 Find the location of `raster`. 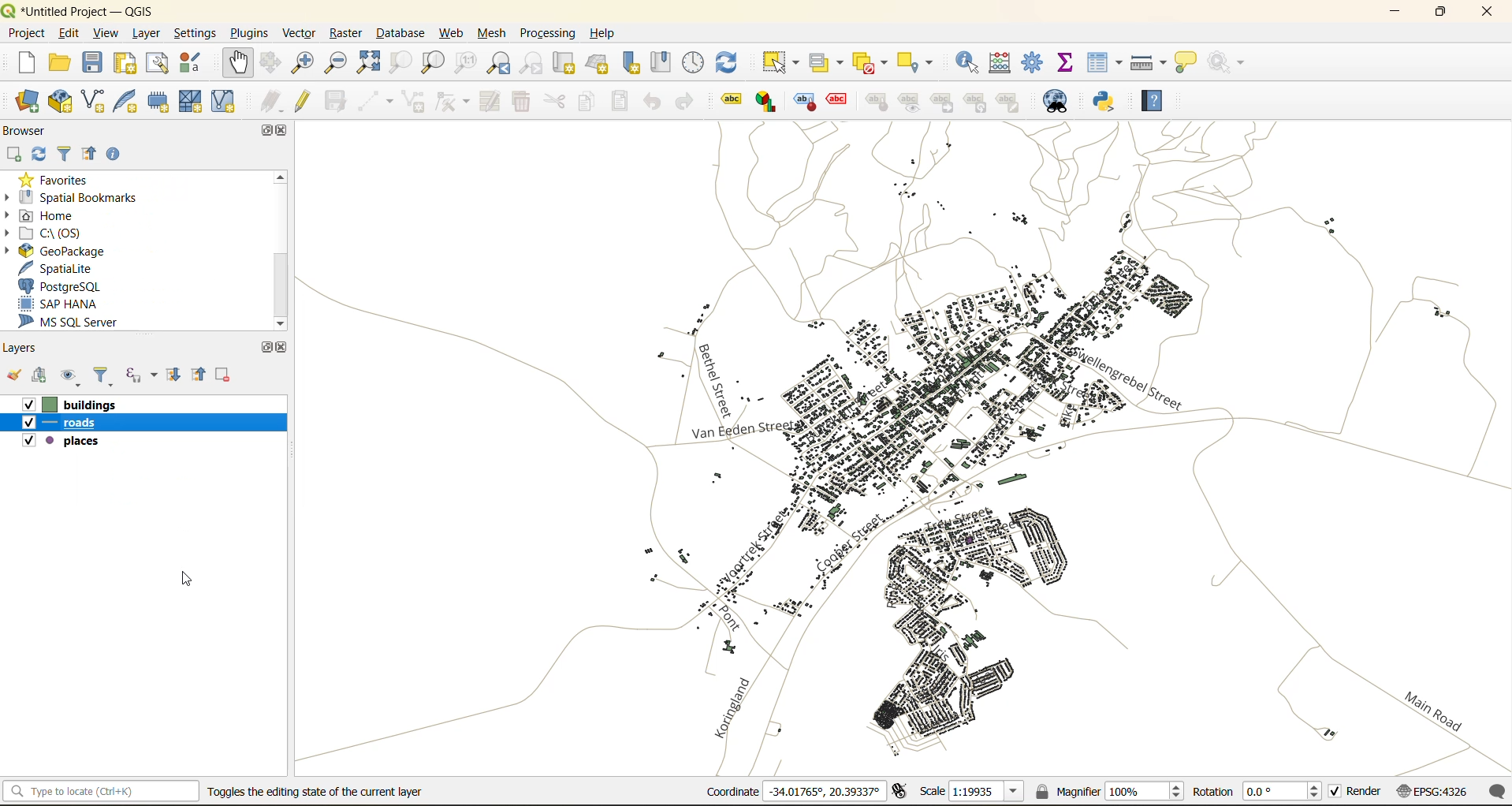

raster is located at coordinates (348, 35).